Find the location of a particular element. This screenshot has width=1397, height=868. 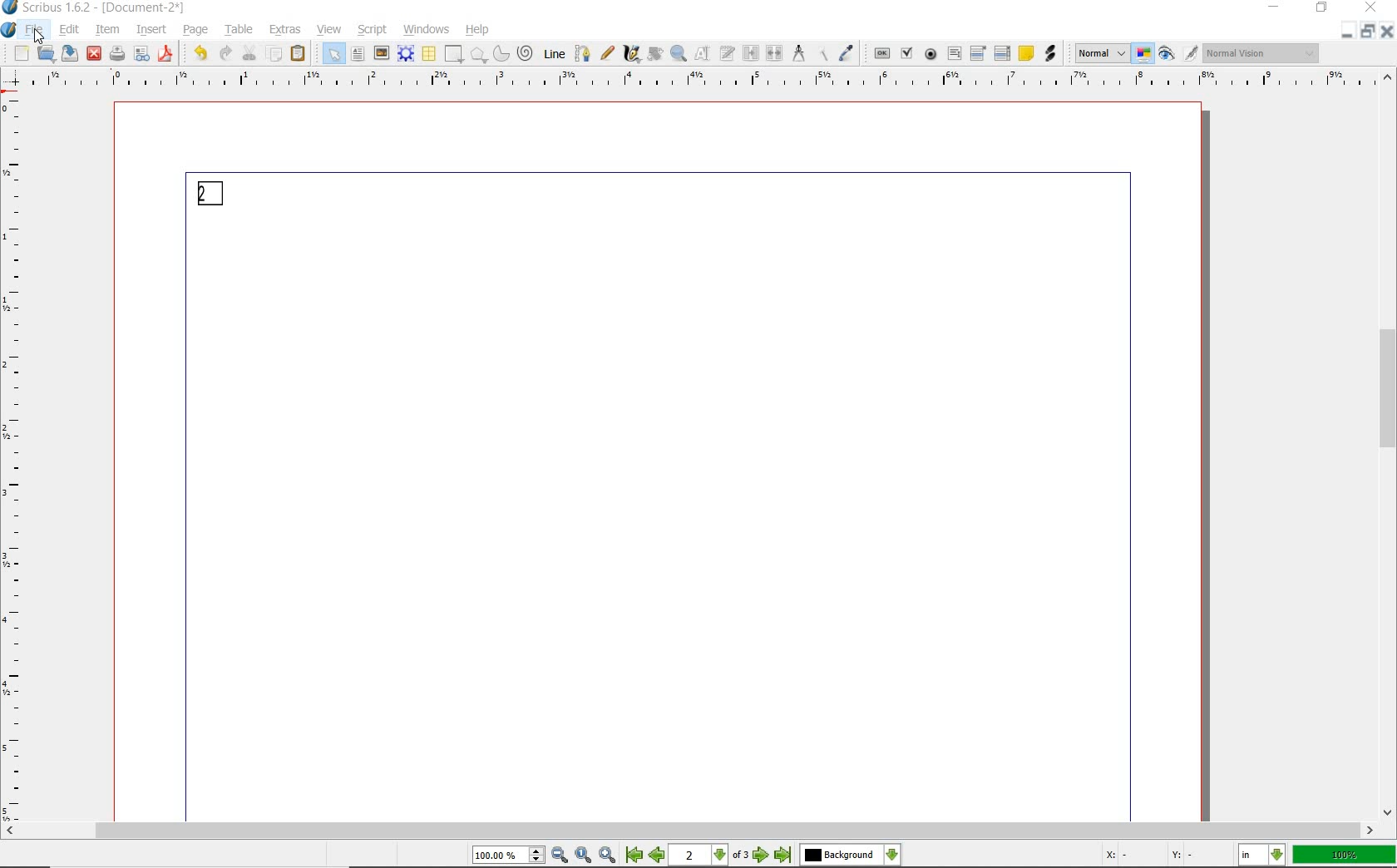

new is located at coordinates (22, 54).